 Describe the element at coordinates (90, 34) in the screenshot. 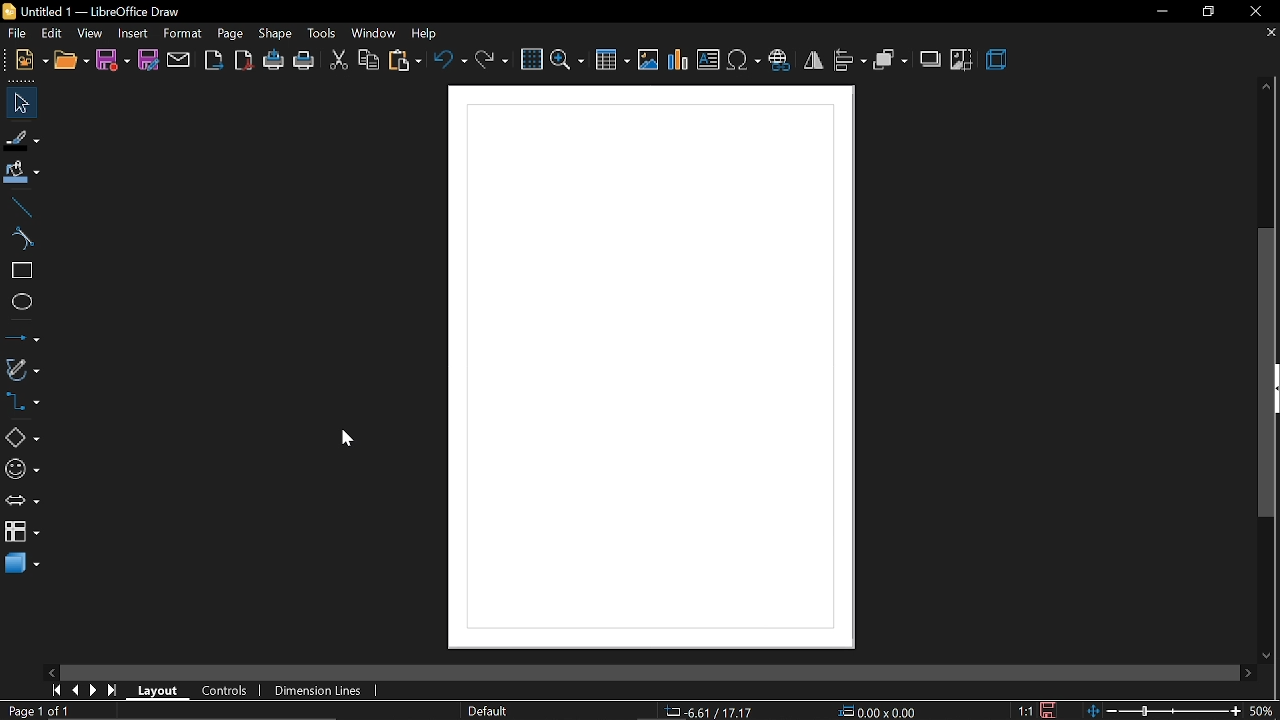

I see `view` at that location.